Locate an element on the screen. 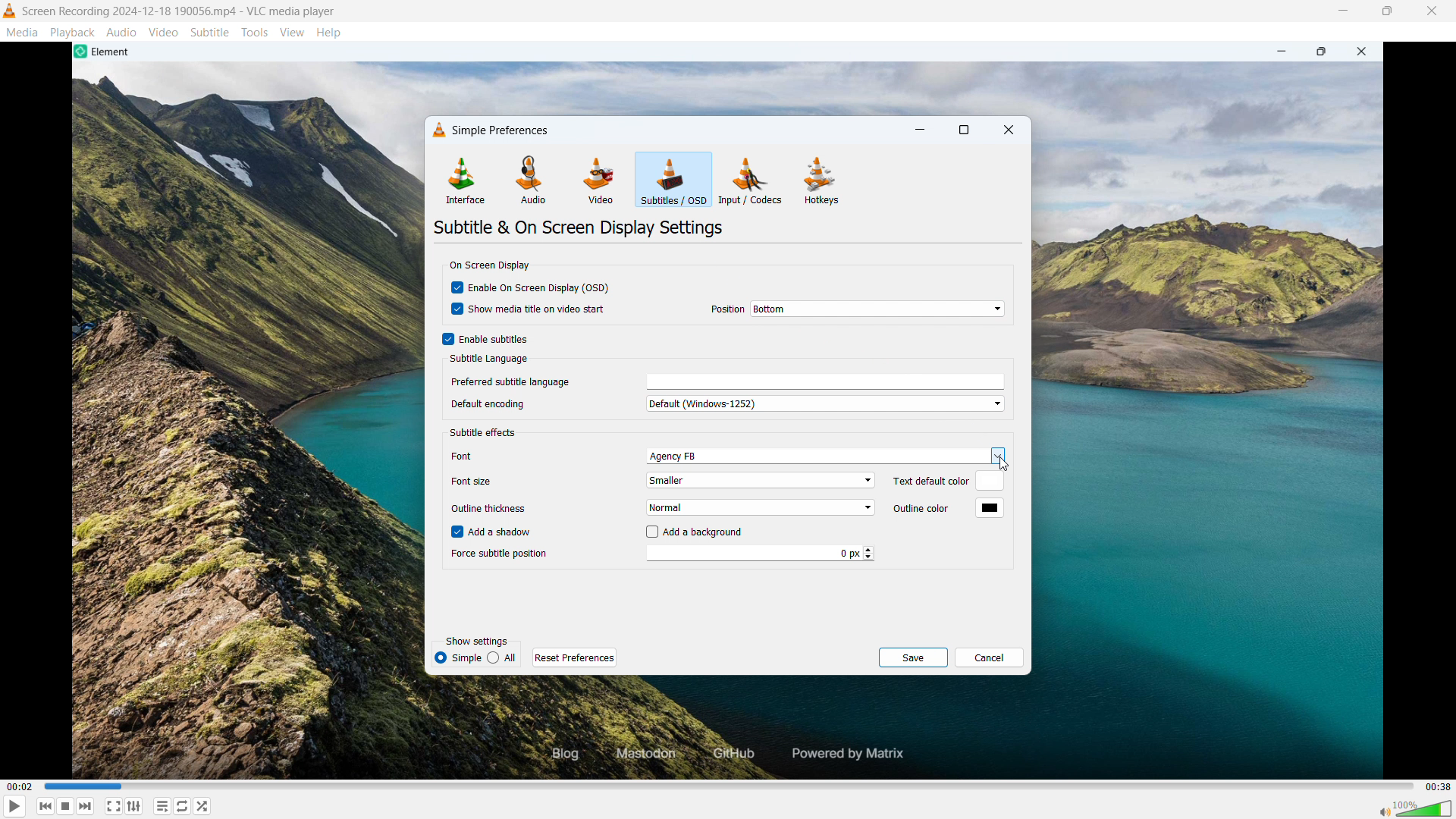 The height and width of the screenshot is (819, 1456). enter prefrred subtitle language is located at coordinates (826, 382).